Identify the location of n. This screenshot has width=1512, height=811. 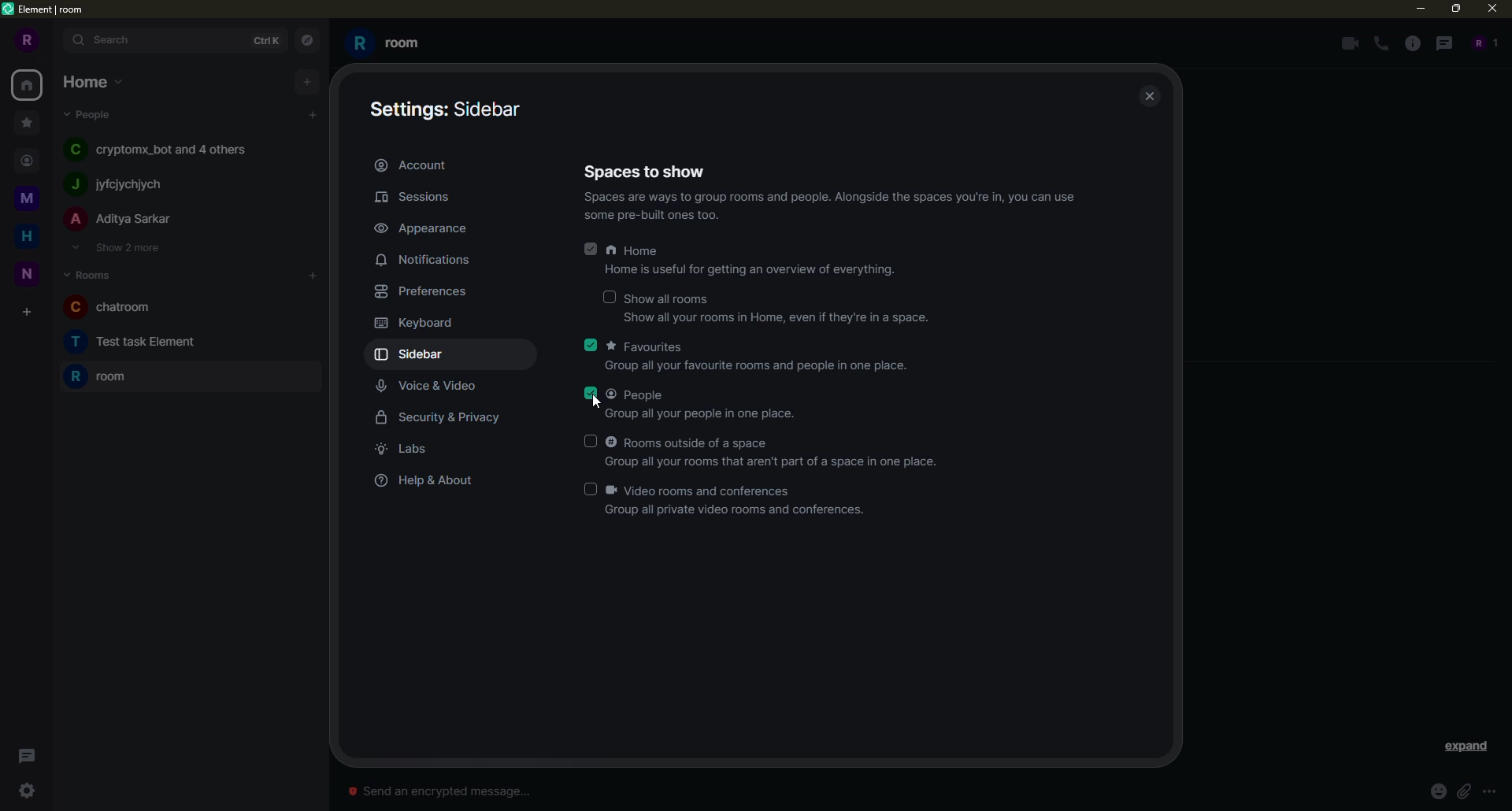
(26, 239).